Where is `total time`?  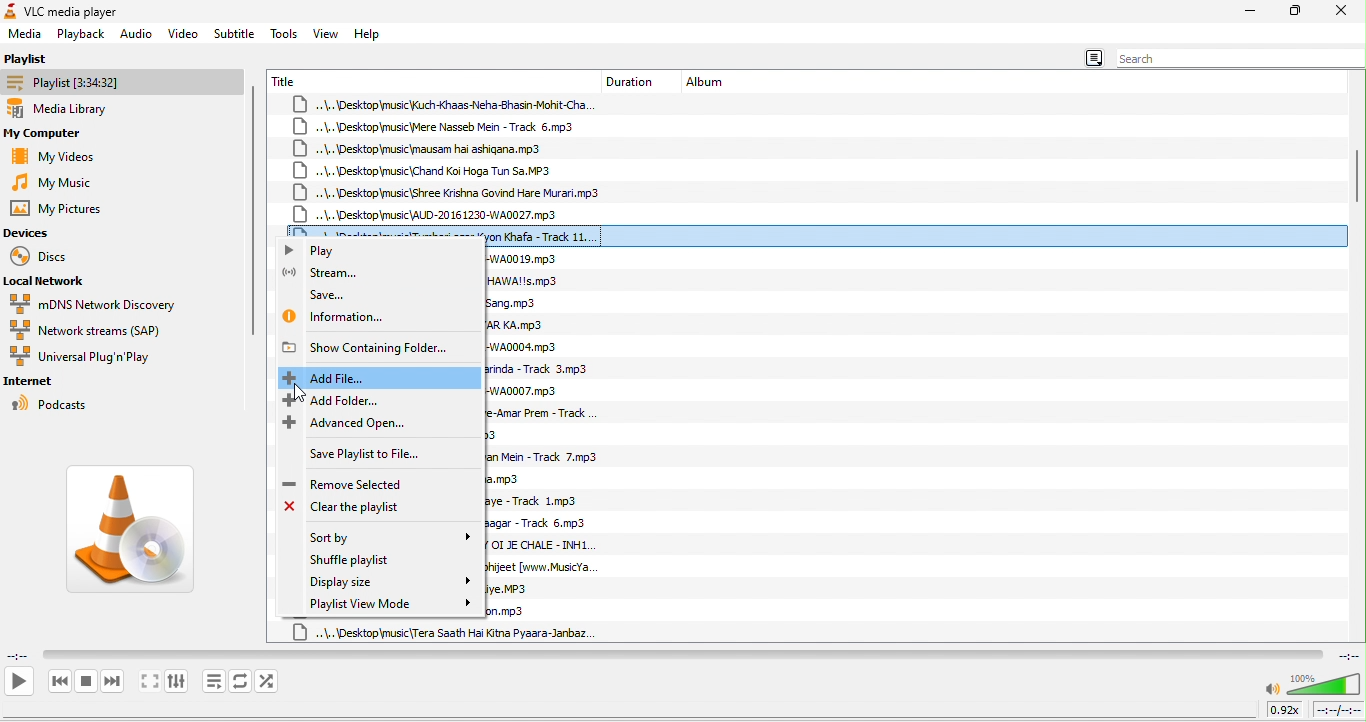 total time is located at coordinates (1346, 655).